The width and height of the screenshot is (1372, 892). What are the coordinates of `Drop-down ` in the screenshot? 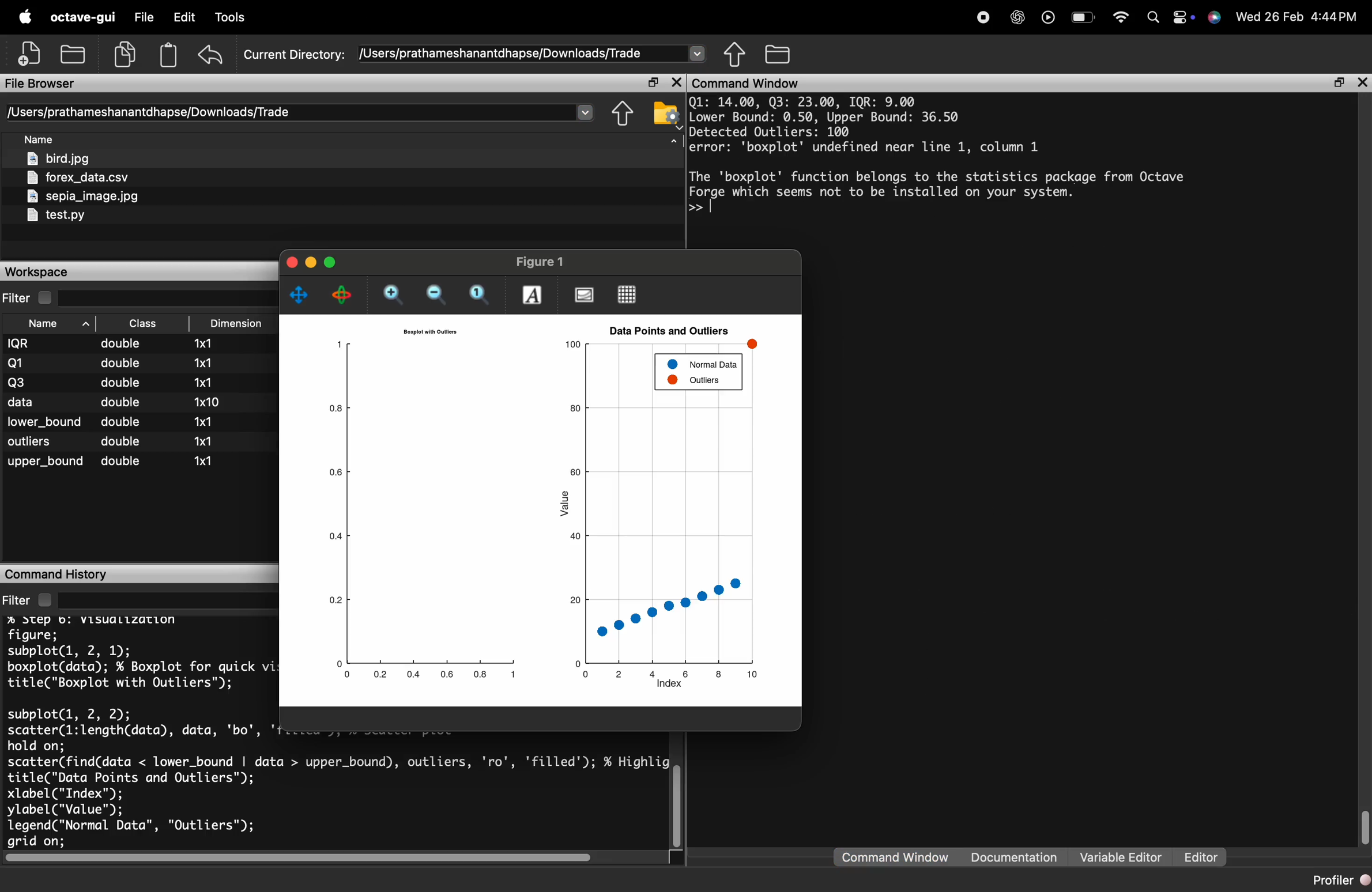 It's located at (696, 52).